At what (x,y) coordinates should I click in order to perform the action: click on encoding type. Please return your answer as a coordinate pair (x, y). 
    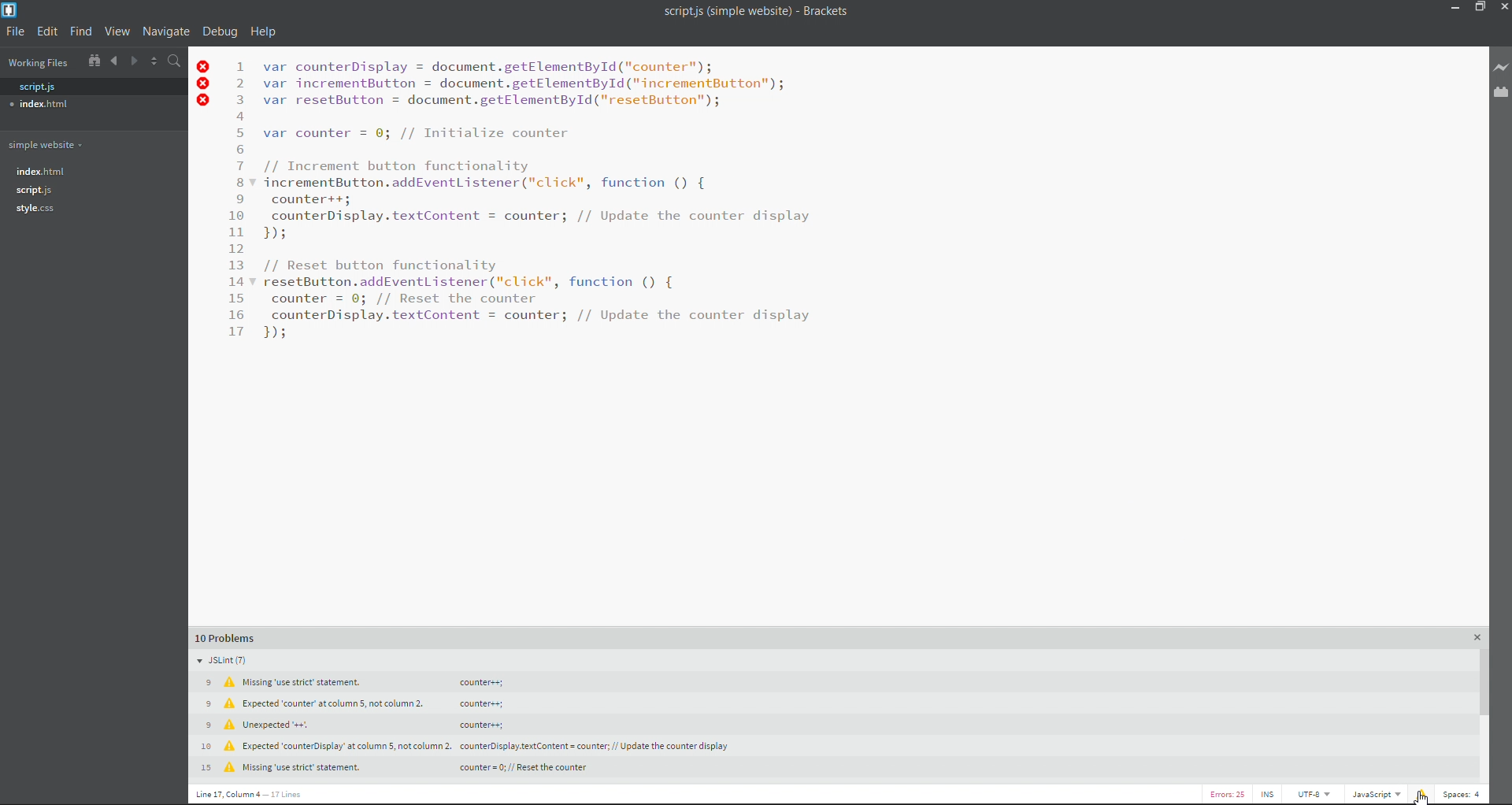
    Looking at the image, I should click on (1314, 796).